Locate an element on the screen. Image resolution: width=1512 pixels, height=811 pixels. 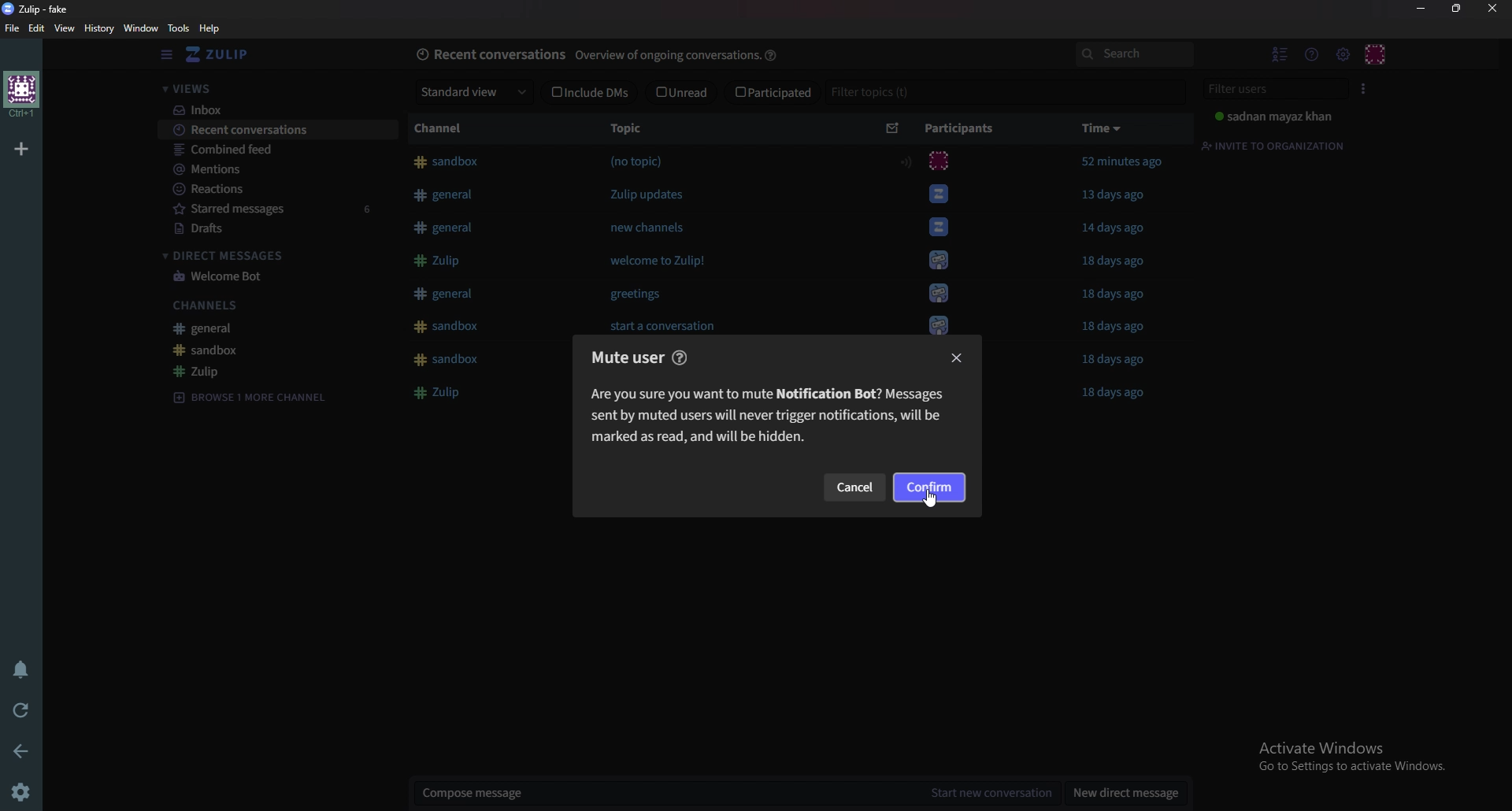
close is located at coordinates (958, 358).